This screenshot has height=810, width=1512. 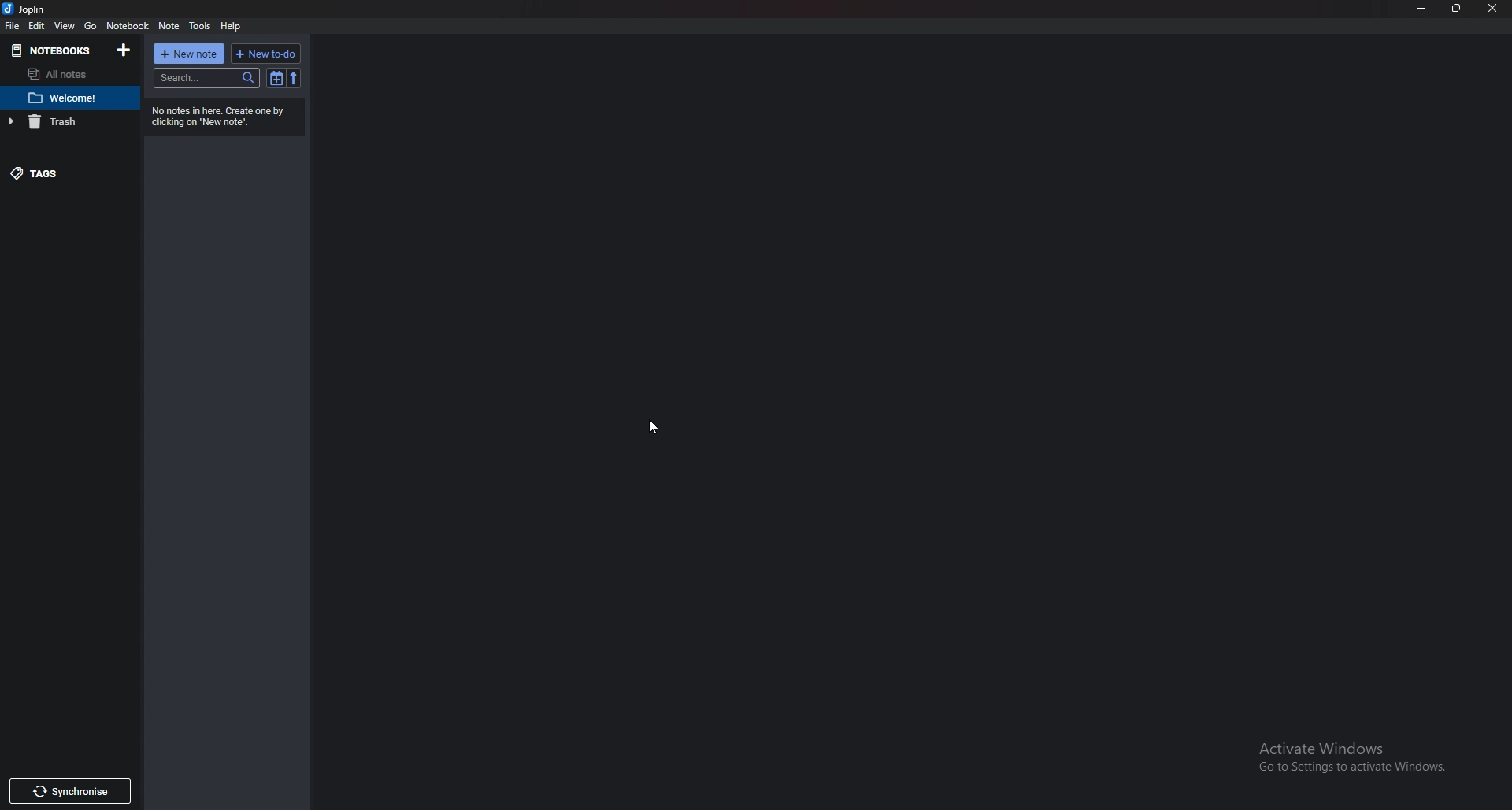 I want to click on Notebook, so click(x=54, y=50).